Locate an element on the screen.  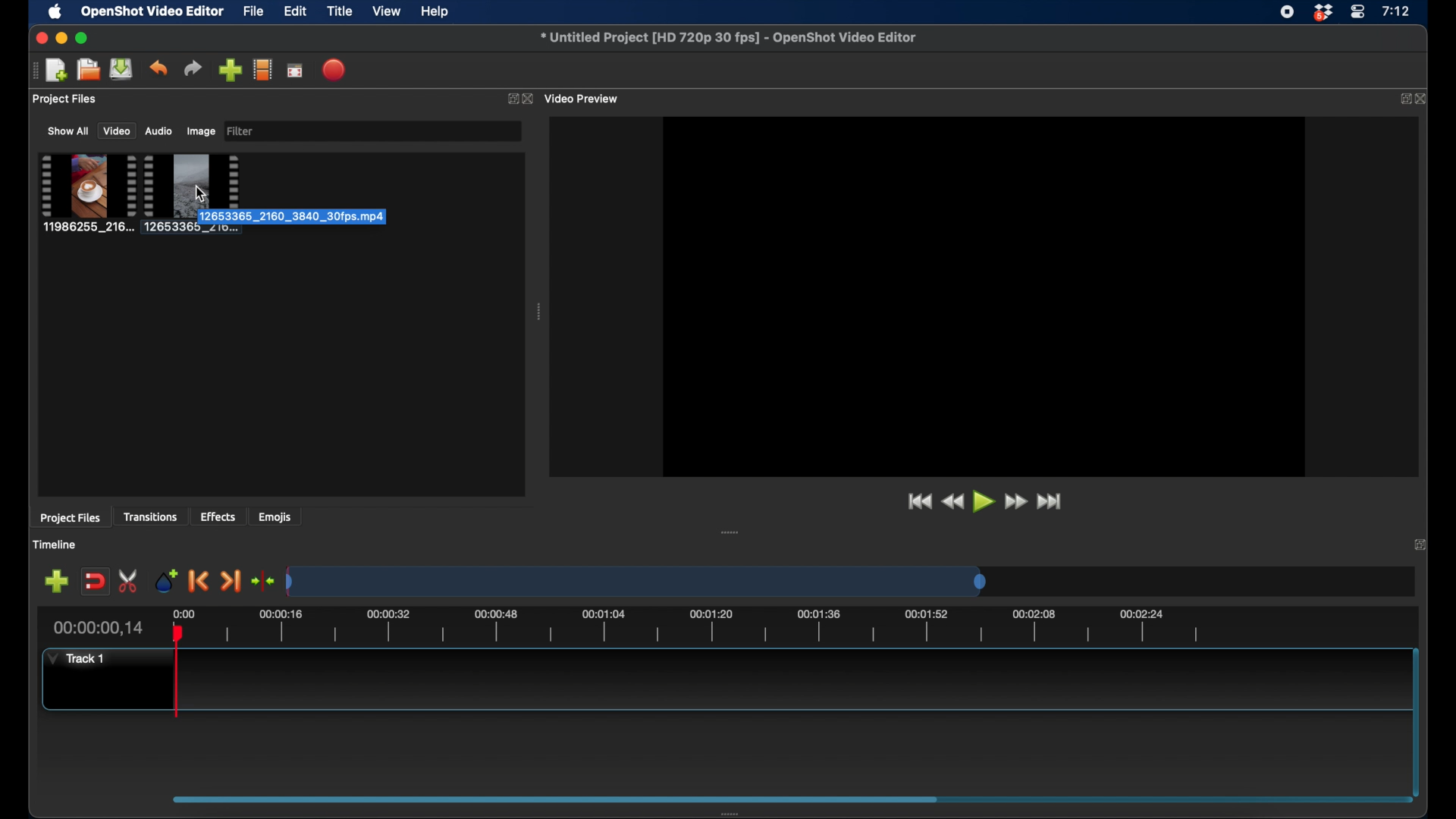
file name is located at coordinates (729, 37).